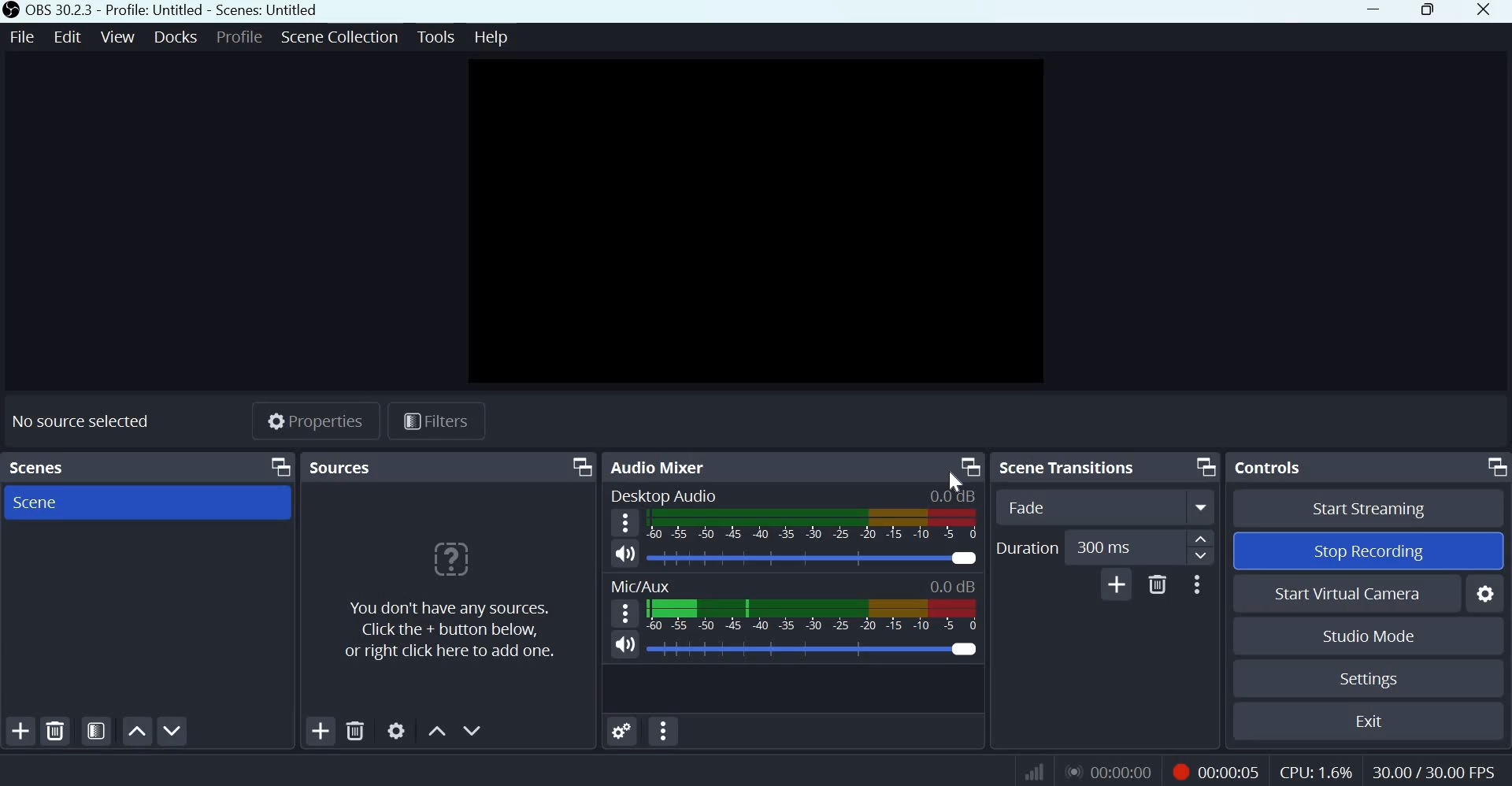 This screenshot has width=1512, height=786. What do you see at coordinates (1124, 547) in the screenshot?
I see `300 ms` at bounding box center [1124, 547].